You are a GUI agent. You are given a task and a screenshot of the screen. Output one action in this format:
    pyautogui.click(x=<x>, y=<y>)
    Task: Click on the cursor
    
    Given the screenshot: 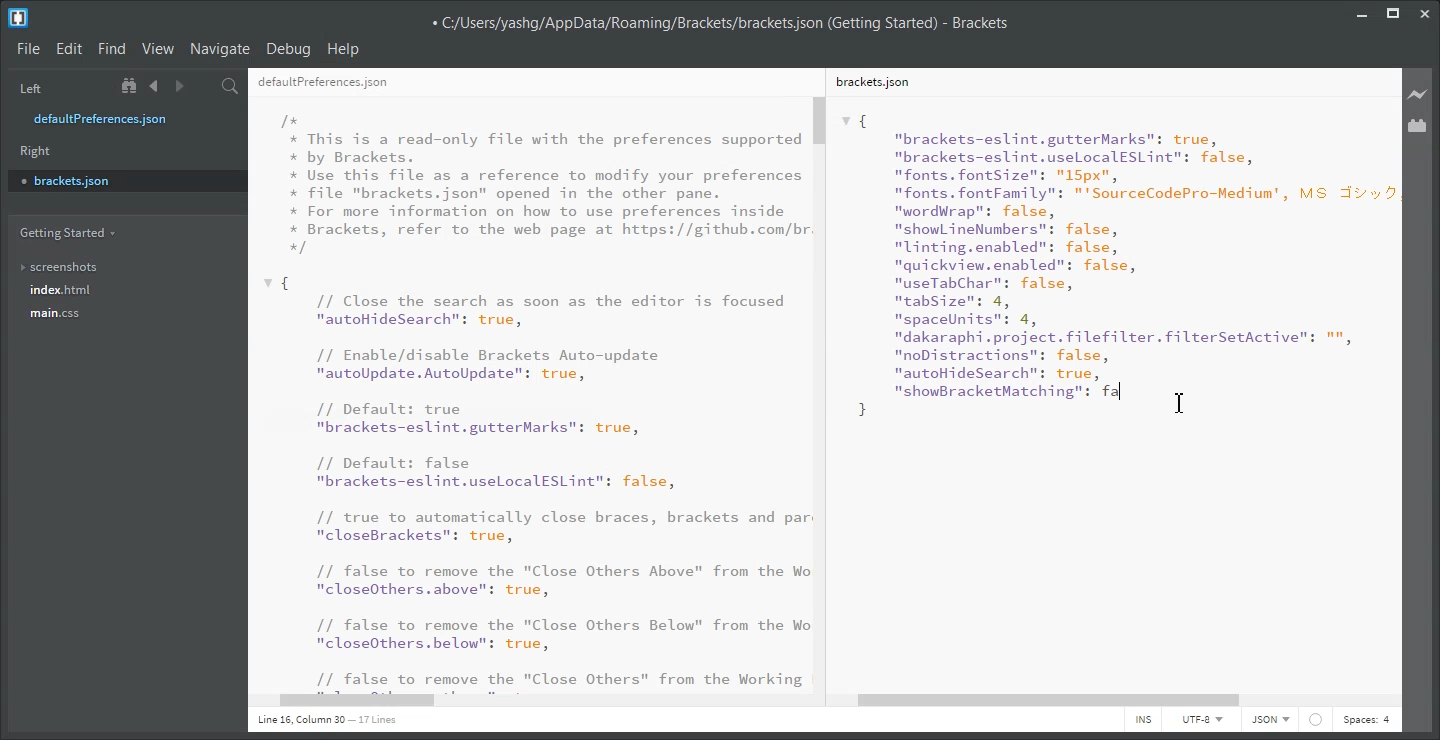 What is the action you would take?
    pyautogui.click(x=1183, y=402)
    